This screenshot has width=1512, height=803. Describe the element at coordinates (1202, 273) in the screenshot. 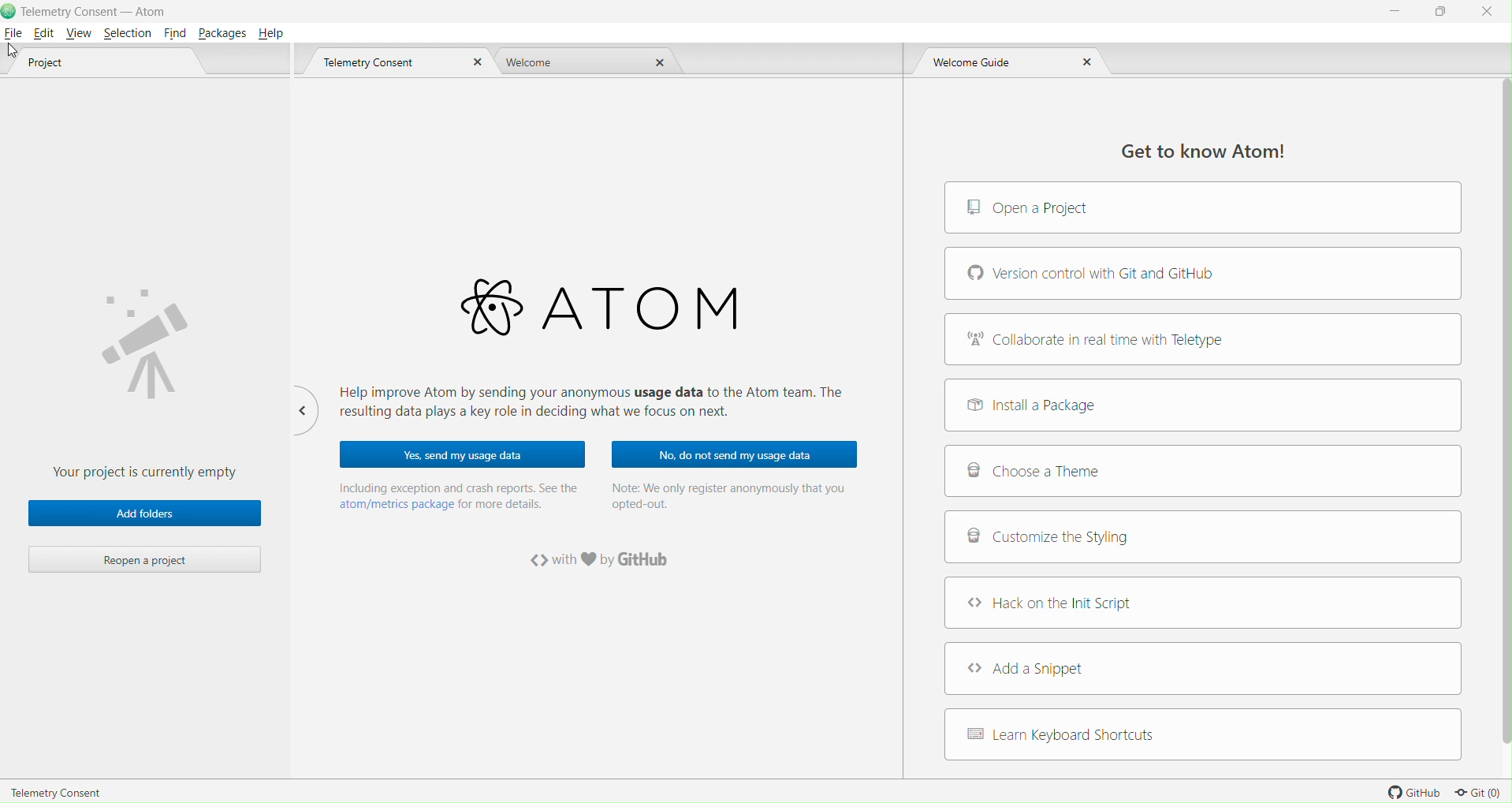

I see `Version control with Git and GitHub` at that location.